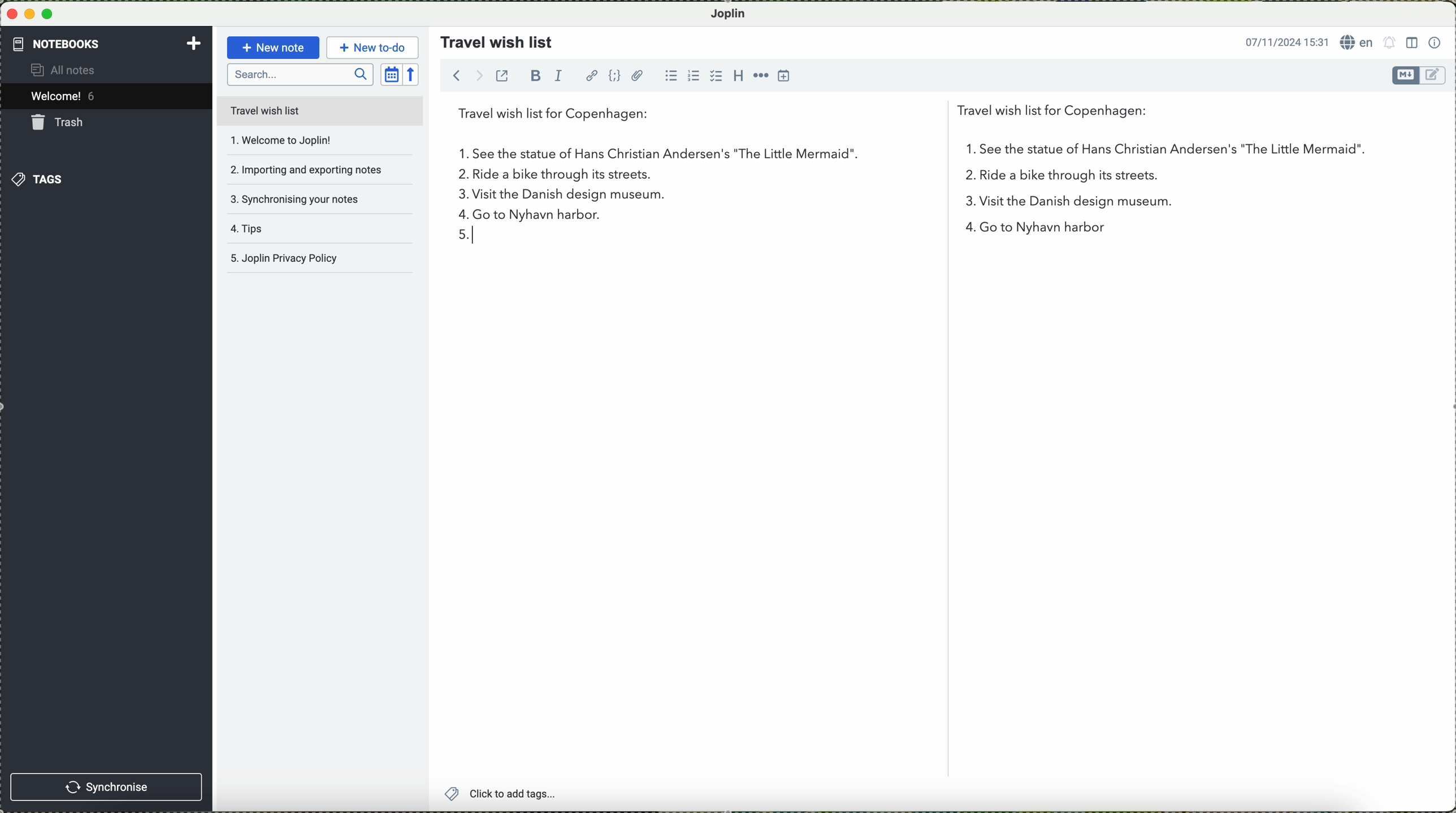  What do you see at coordinates (1283, 41) in the screenshot?
I see `date and hour` at bounding box center [1283, 41].